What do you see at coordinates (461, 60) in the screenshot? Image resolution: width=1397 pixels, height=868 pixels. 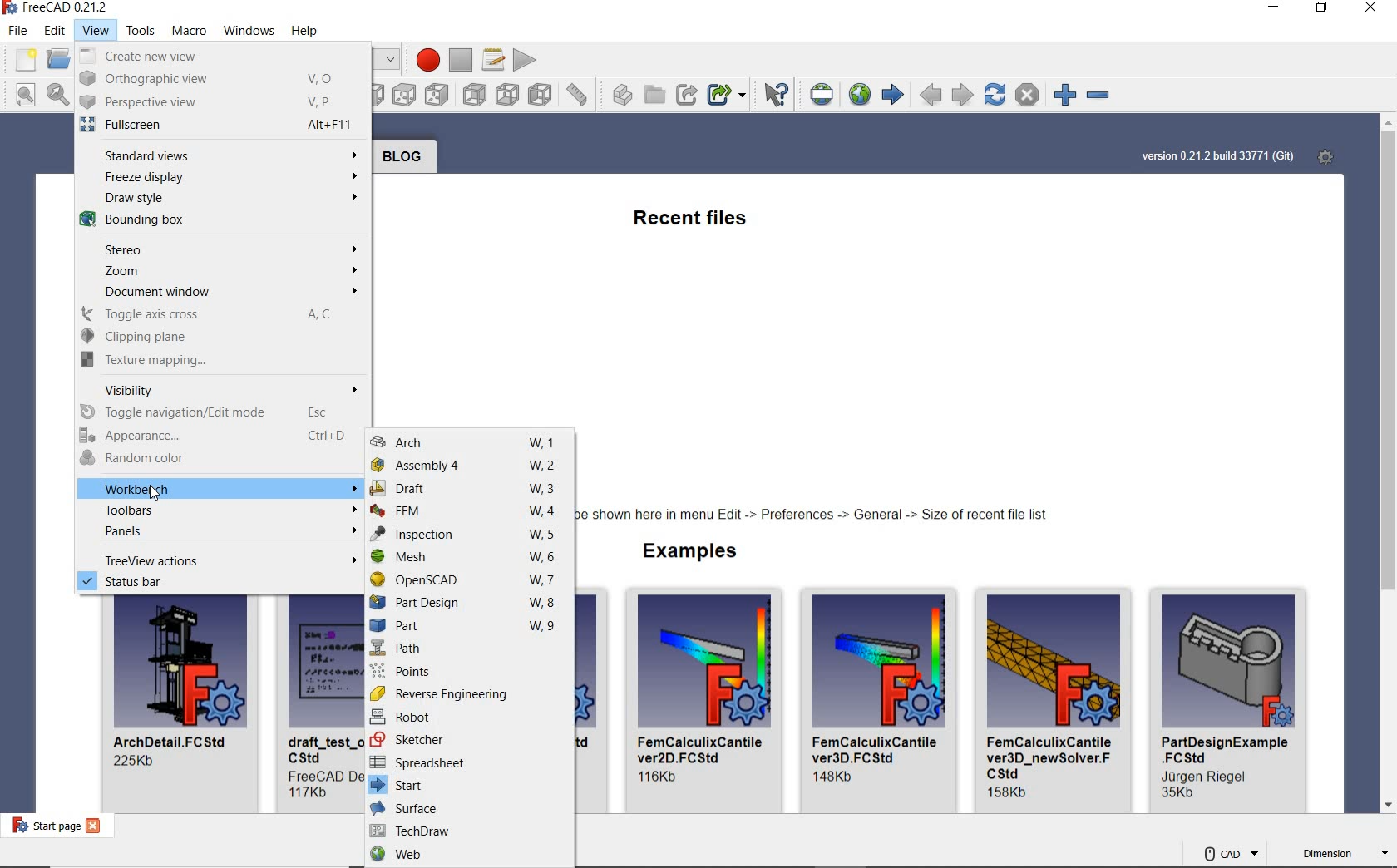 I see `stop macro recording` at bounding box center [461, 60].